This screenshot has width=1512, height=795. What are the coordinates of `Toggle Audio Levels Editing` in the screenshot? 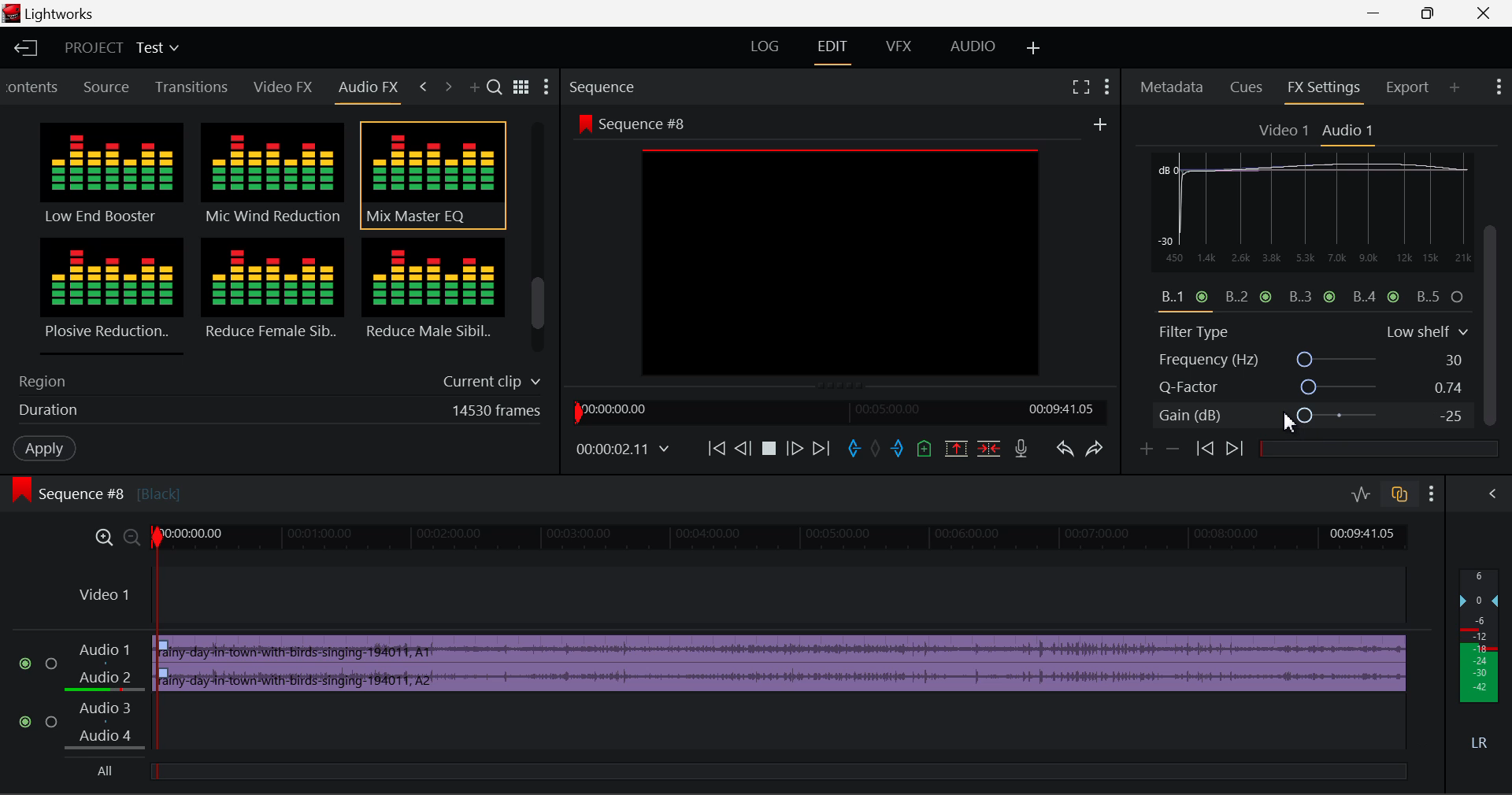 It's located at (1362, 495).